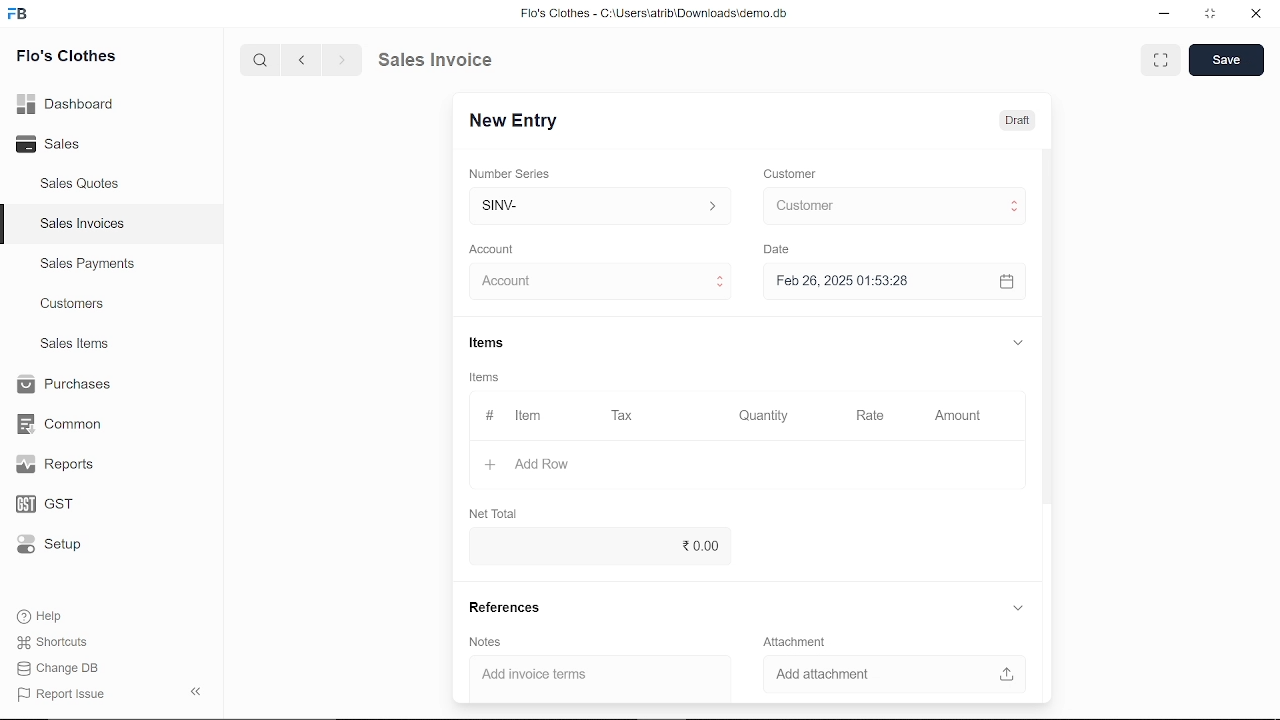 This screenshot has height=720, width=1280. What do you see at coordinates (1016, 341) in the screenshot?
I see `expand` at bounding box center [1016, 341].